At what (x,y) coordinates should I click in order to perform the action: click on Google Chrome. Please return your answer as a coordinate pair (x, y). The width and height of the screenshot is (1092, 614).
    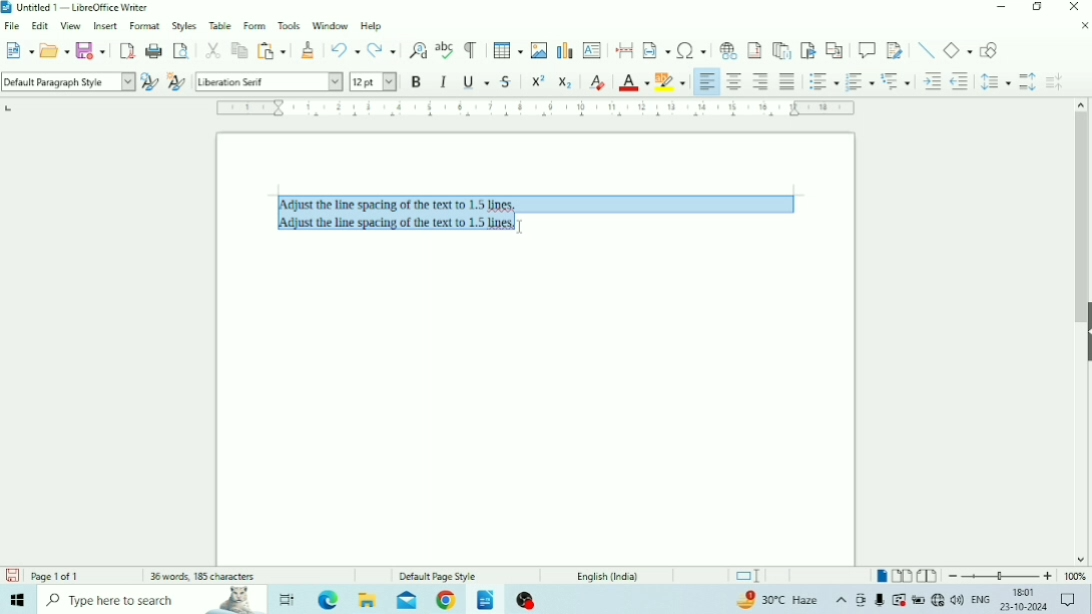
    Looking at the image, I should click on (446, 600).